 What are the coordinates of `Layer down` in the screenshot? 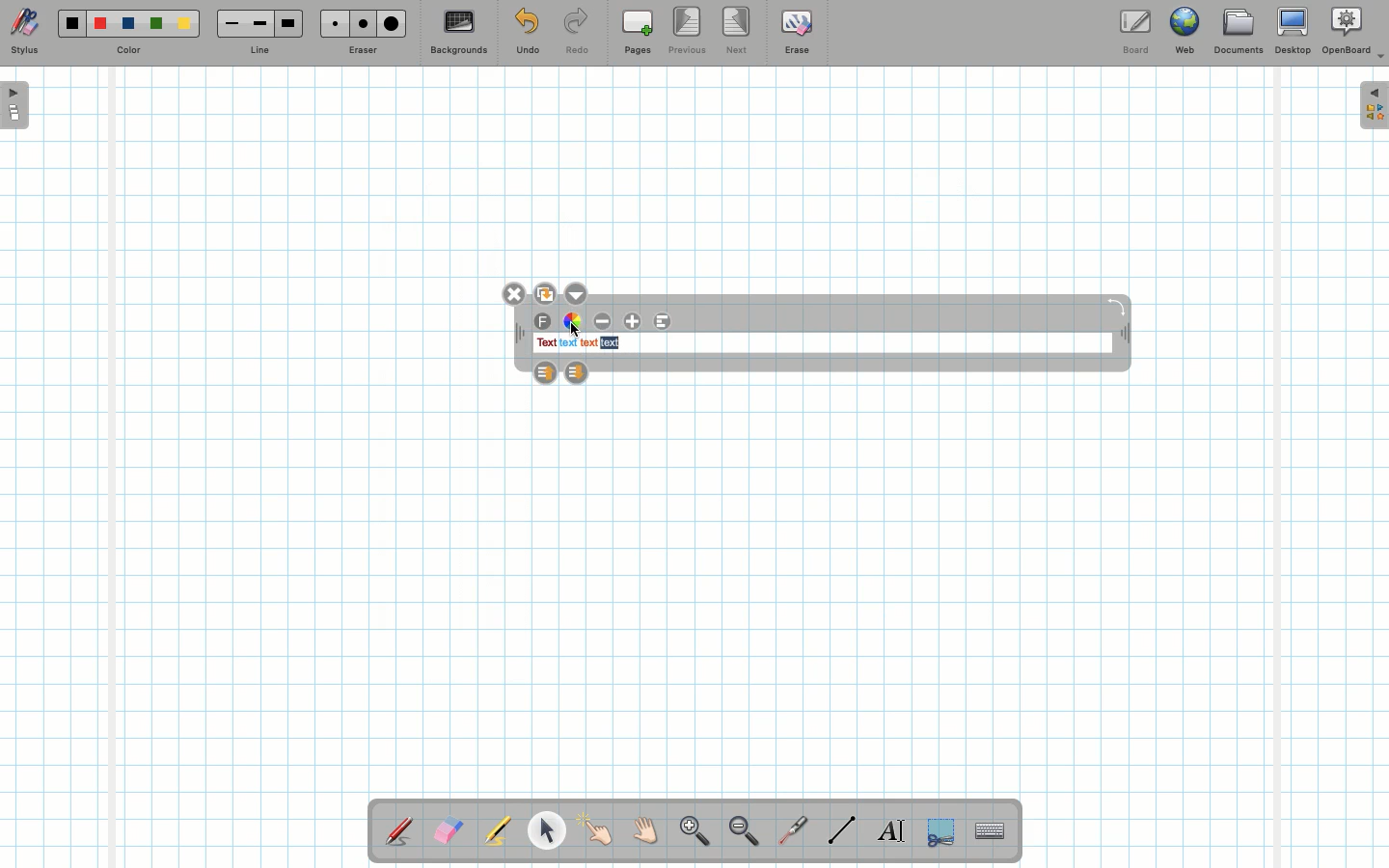 It's located at (578, 372).